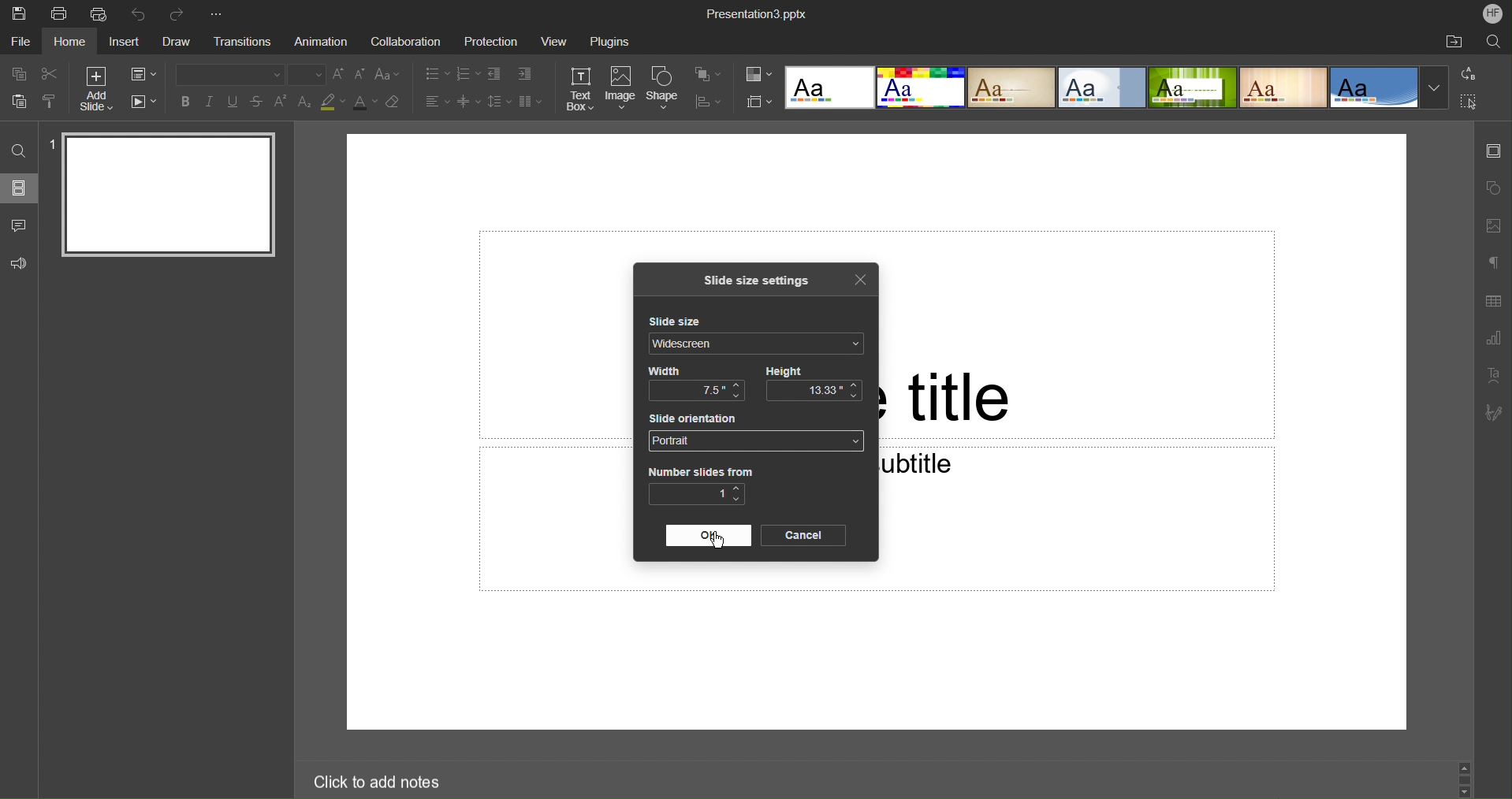 This screenshot has width=1512, height=799. I want to click on Slides, so click(19, 188).